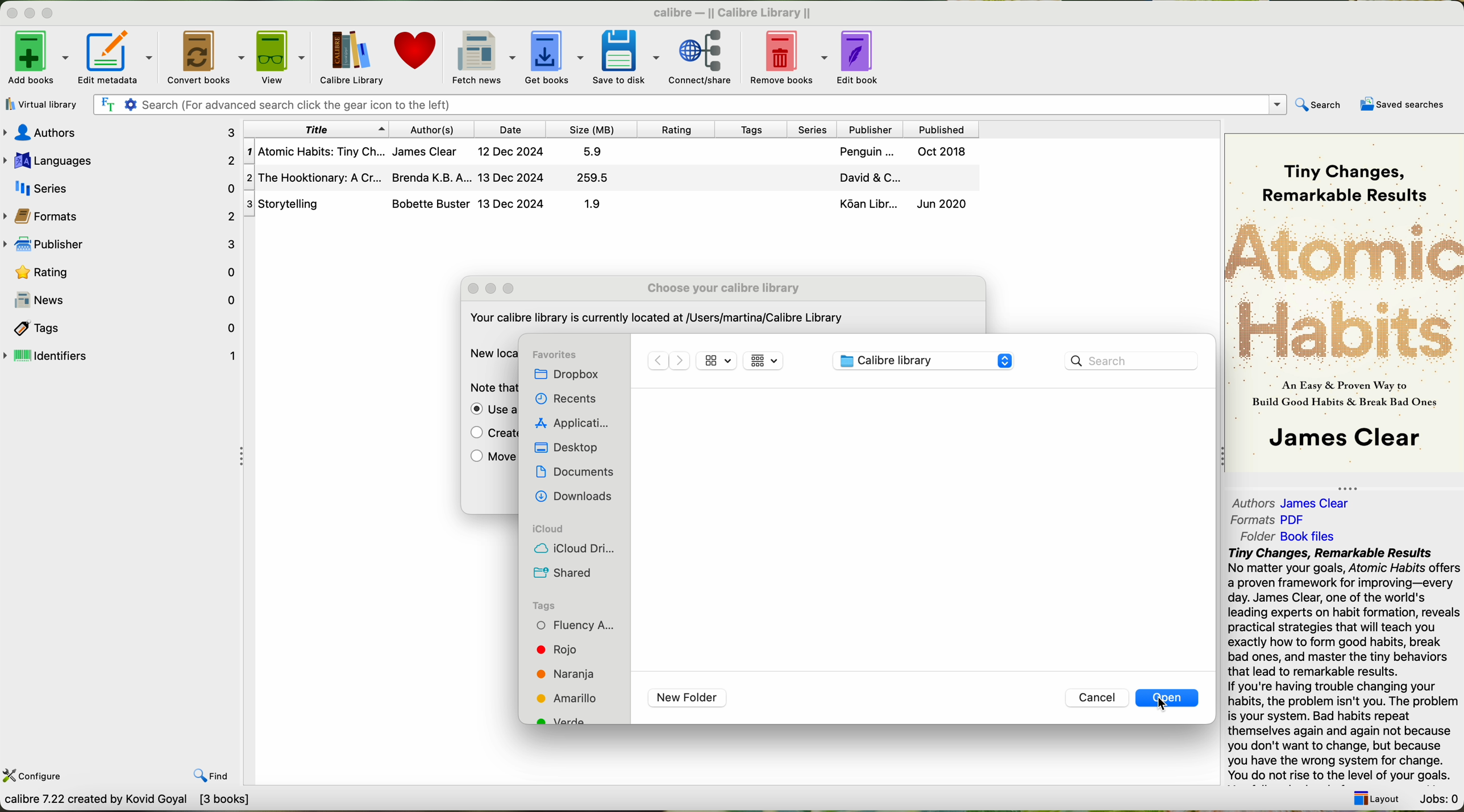 The image size is (1464, 812). I want to click on 3| Storytelling Bobette Buster 13 Dec 2024 1.9, so click(442, 204).